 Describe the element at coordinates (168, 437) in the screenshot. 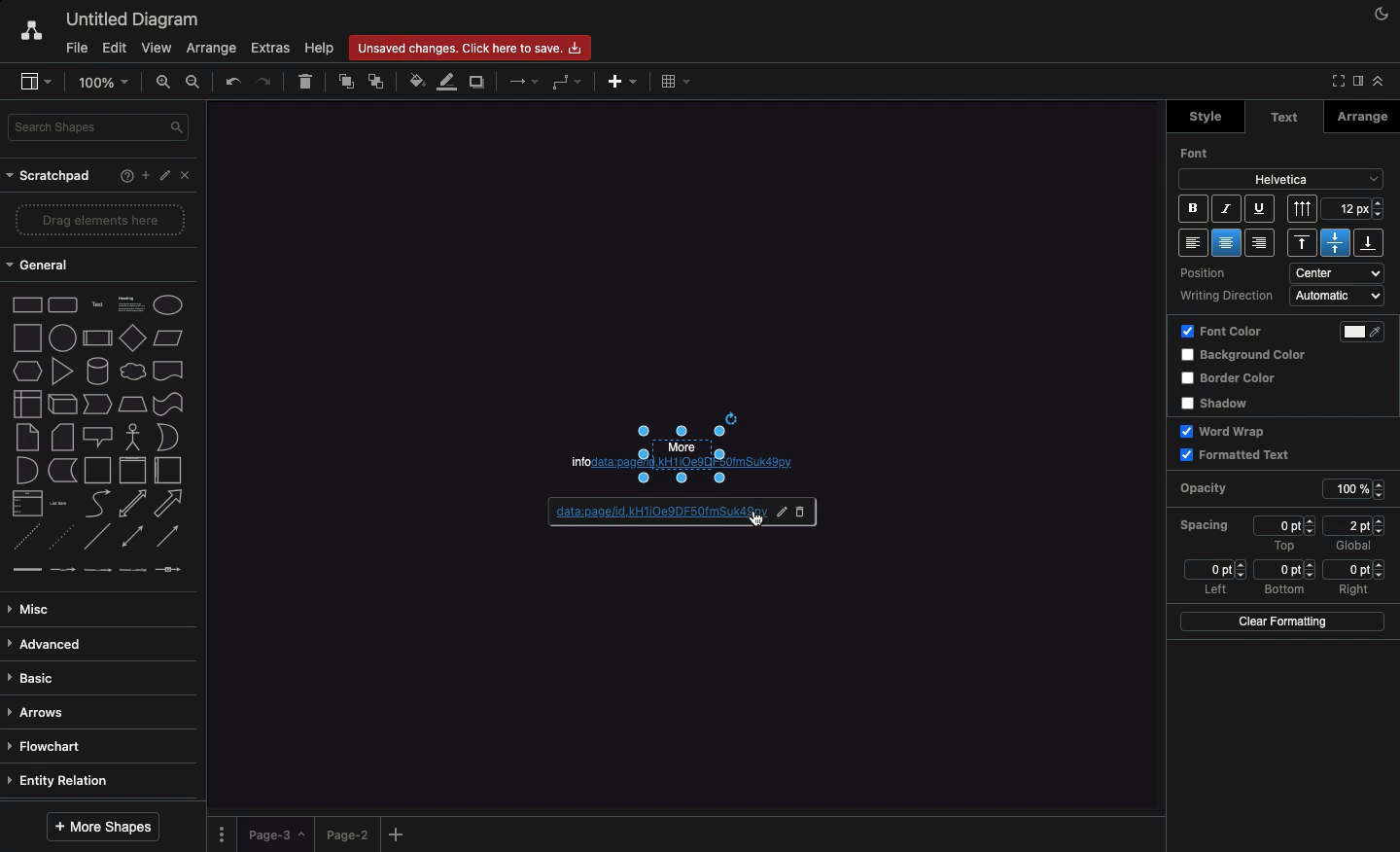

I see `or` at that location.